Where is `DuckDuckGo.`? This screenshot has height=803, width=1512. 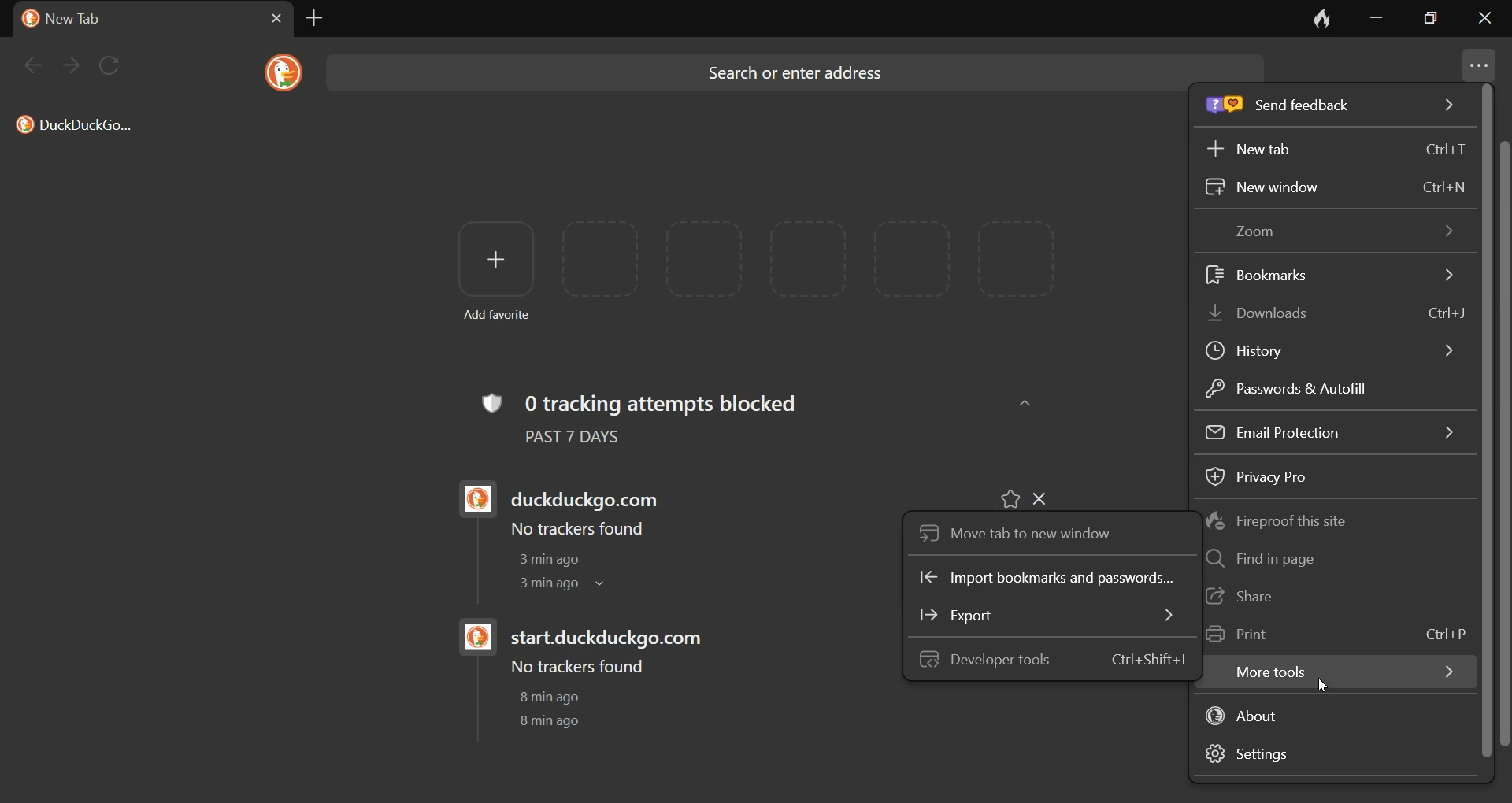 DuckDuckGo. is located at coordinates (77, 128).